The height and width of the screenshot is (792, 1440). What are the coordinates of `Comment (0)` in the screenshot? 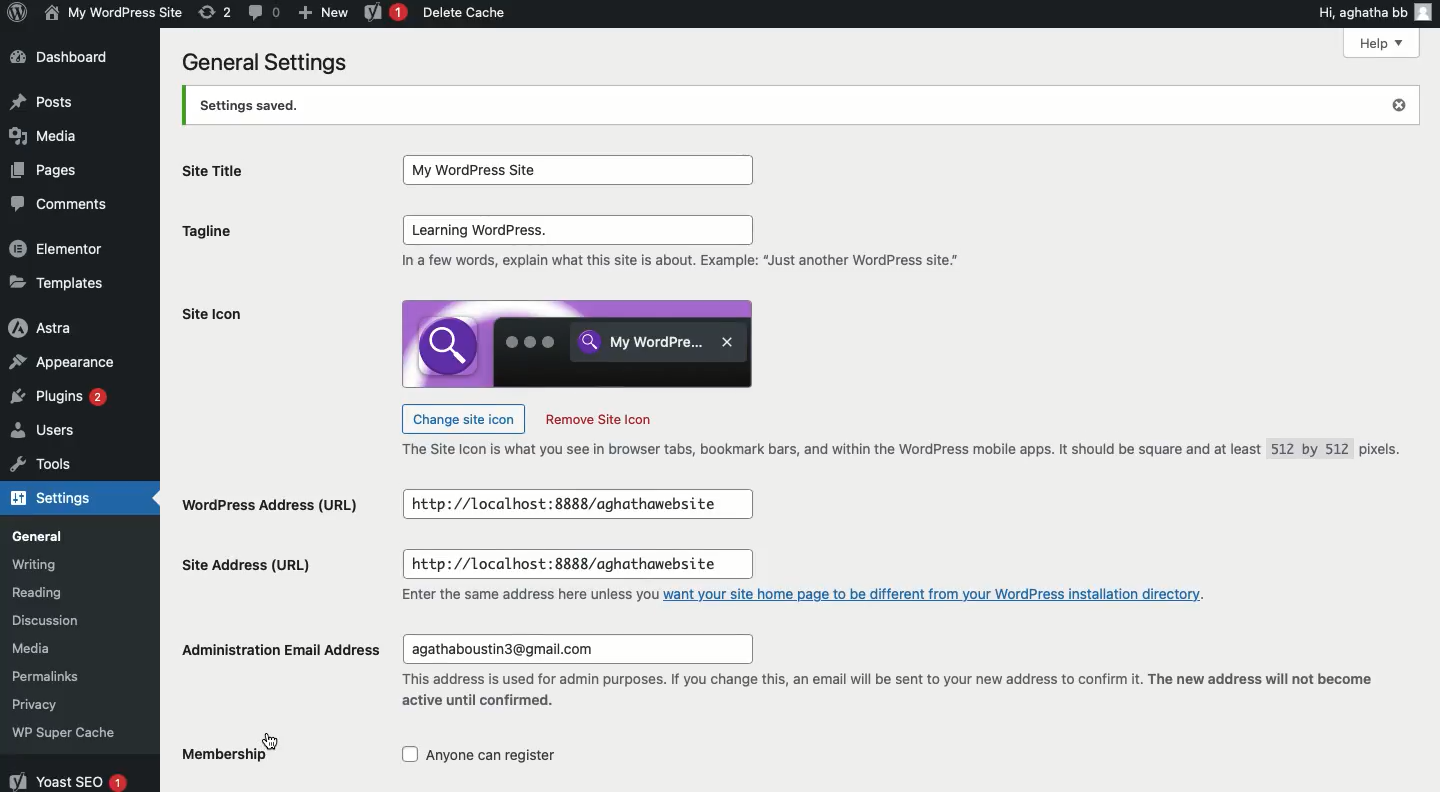 It's located at (263, 11).